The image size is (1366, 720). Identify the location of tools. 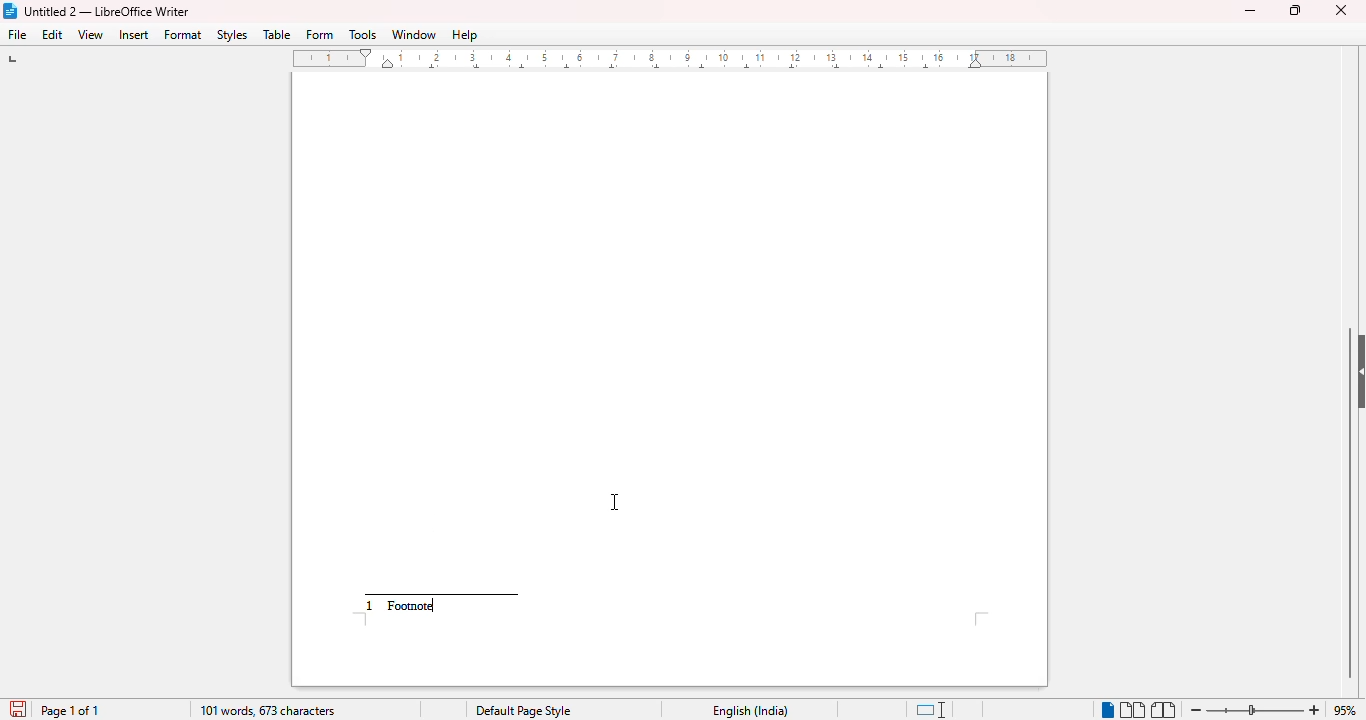
(363, 35).